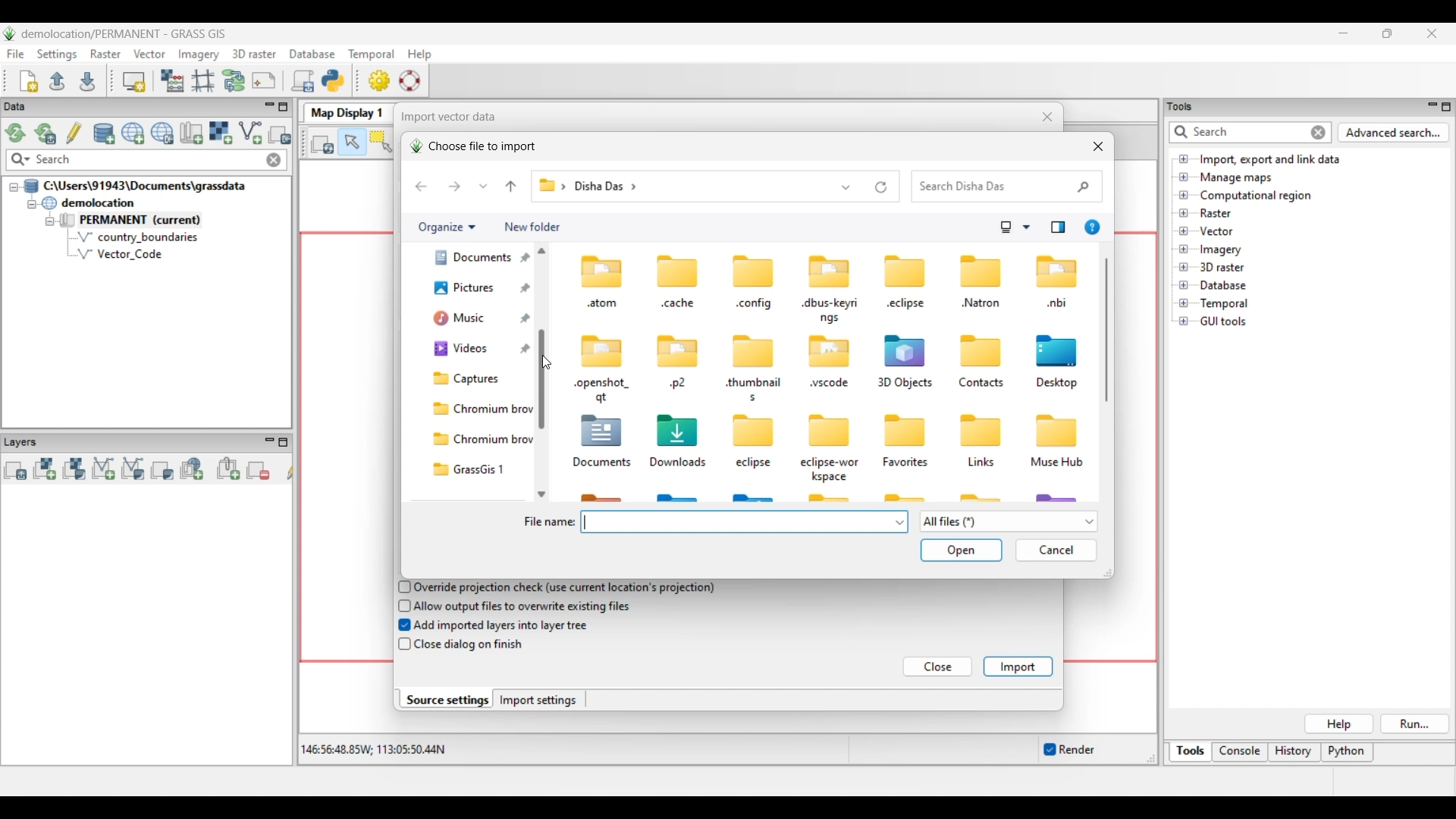 The width and height of the screenshot is (1456, 819). Describe the element at coordinates (538, 700) in the screenshot. I see `Import settings` at that location.